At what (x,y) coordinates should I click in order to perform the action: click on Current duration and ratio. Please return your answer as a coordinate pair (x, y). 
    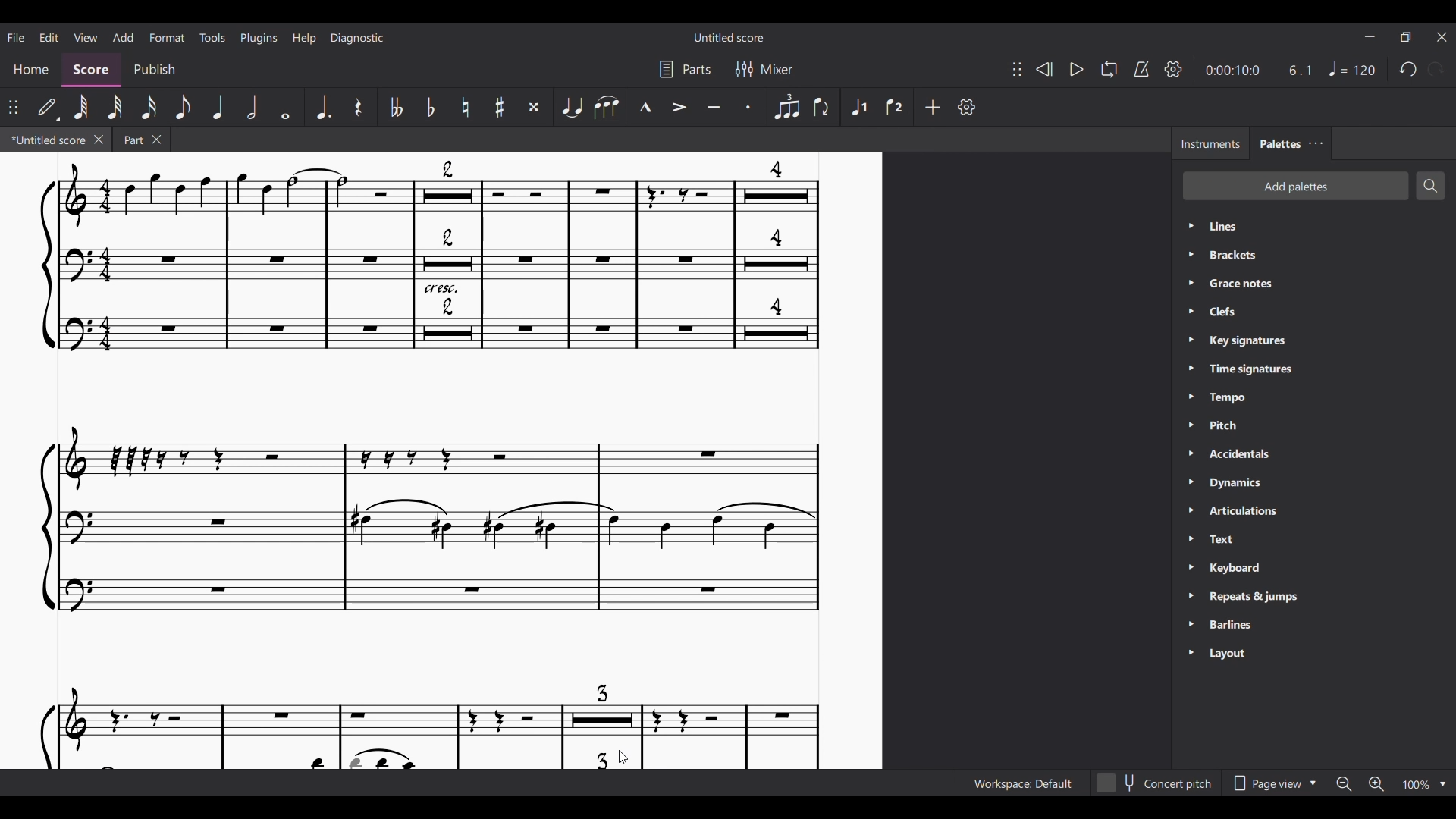
    Looking at the image, I should click on (1257, 70).